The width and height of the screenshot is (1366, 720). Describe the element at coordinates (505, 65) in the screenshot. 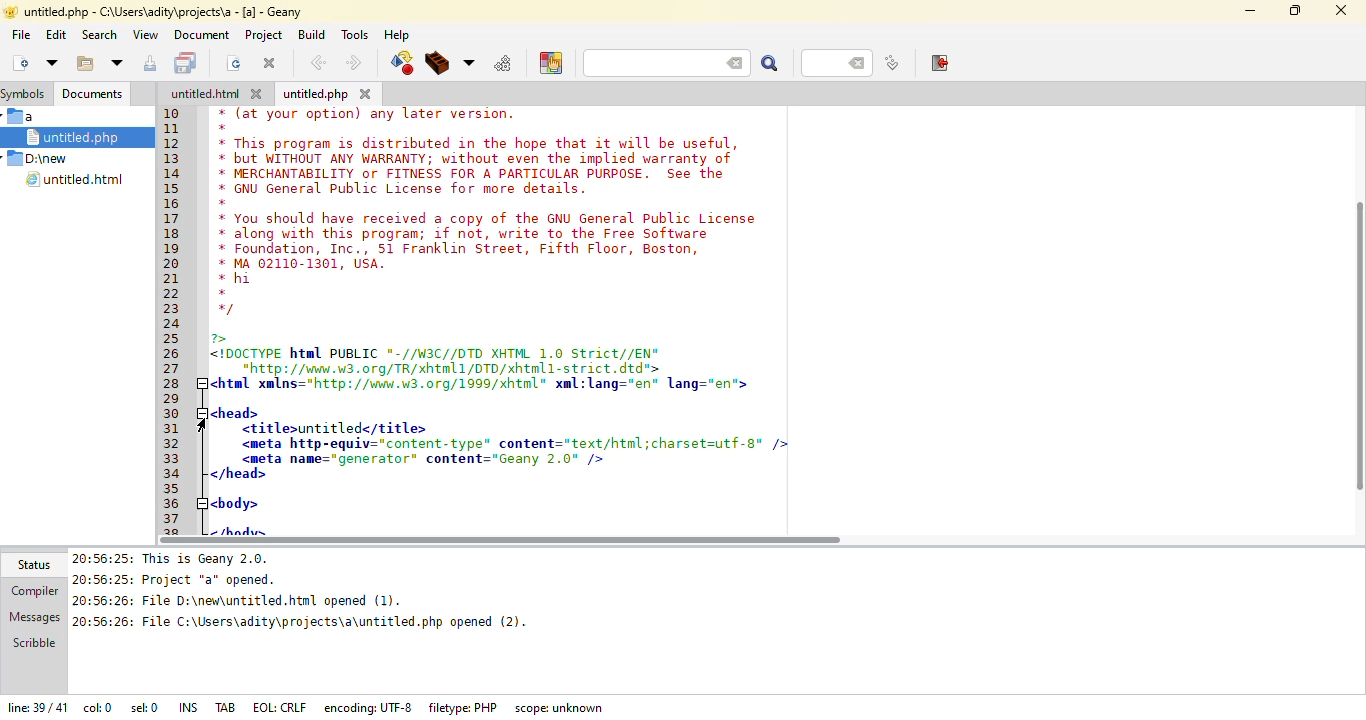

I see `run` at that location.